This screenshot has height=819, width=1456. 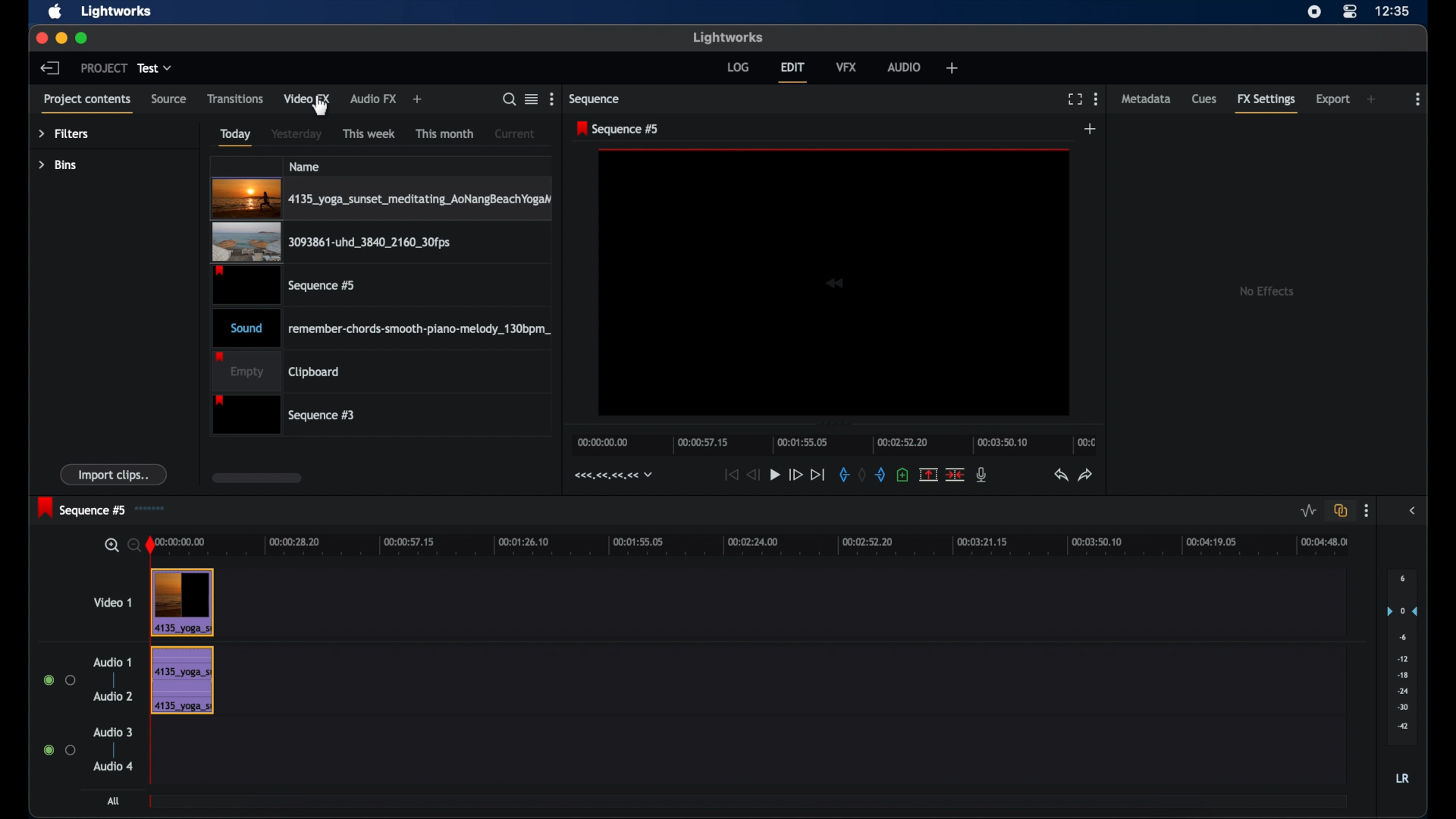 I want to click on maximize, so click(x=83, y=39).